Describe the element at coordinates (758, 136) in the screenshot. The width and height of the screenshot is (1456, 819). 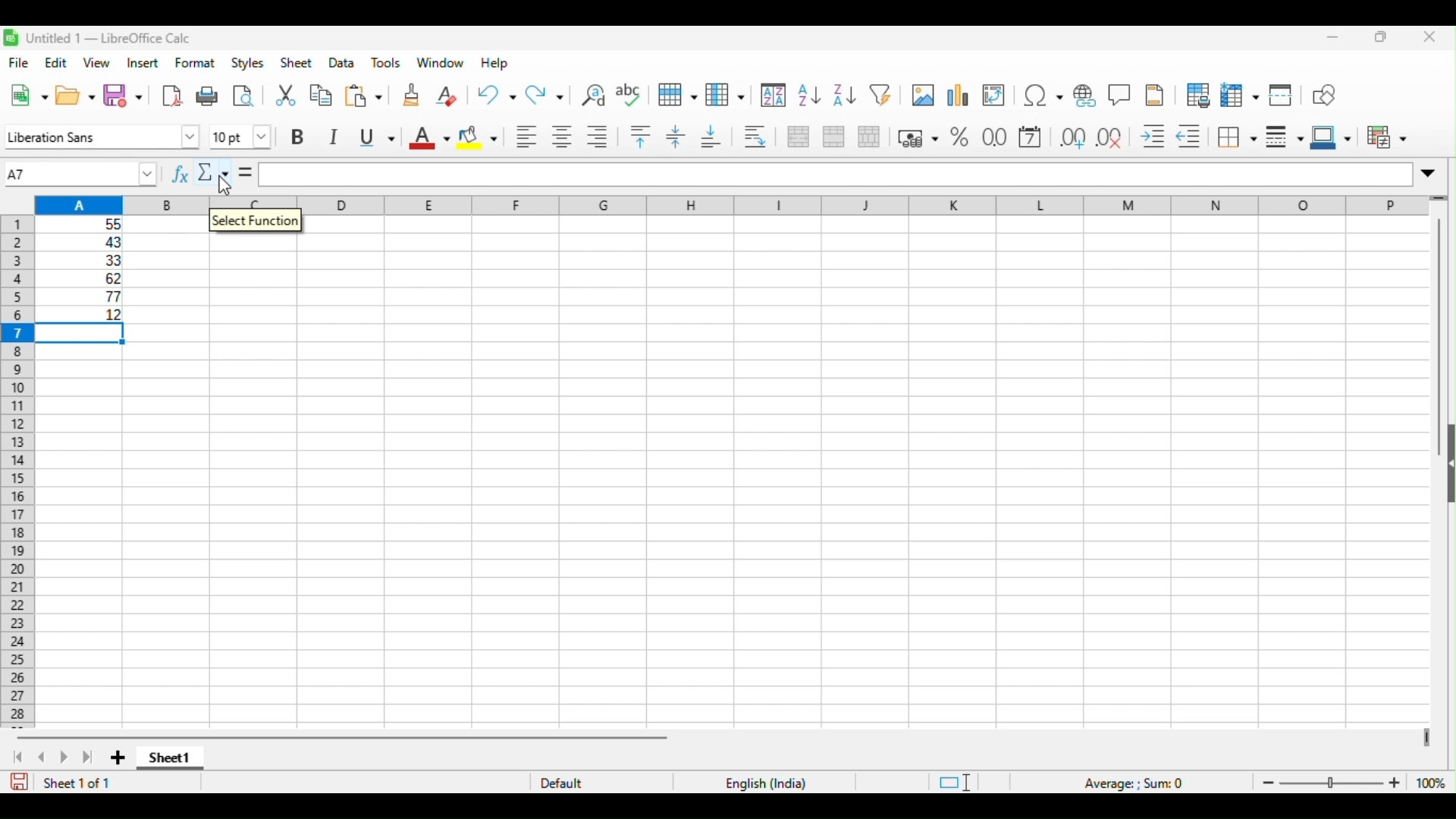
I see `wrap text` at that location.